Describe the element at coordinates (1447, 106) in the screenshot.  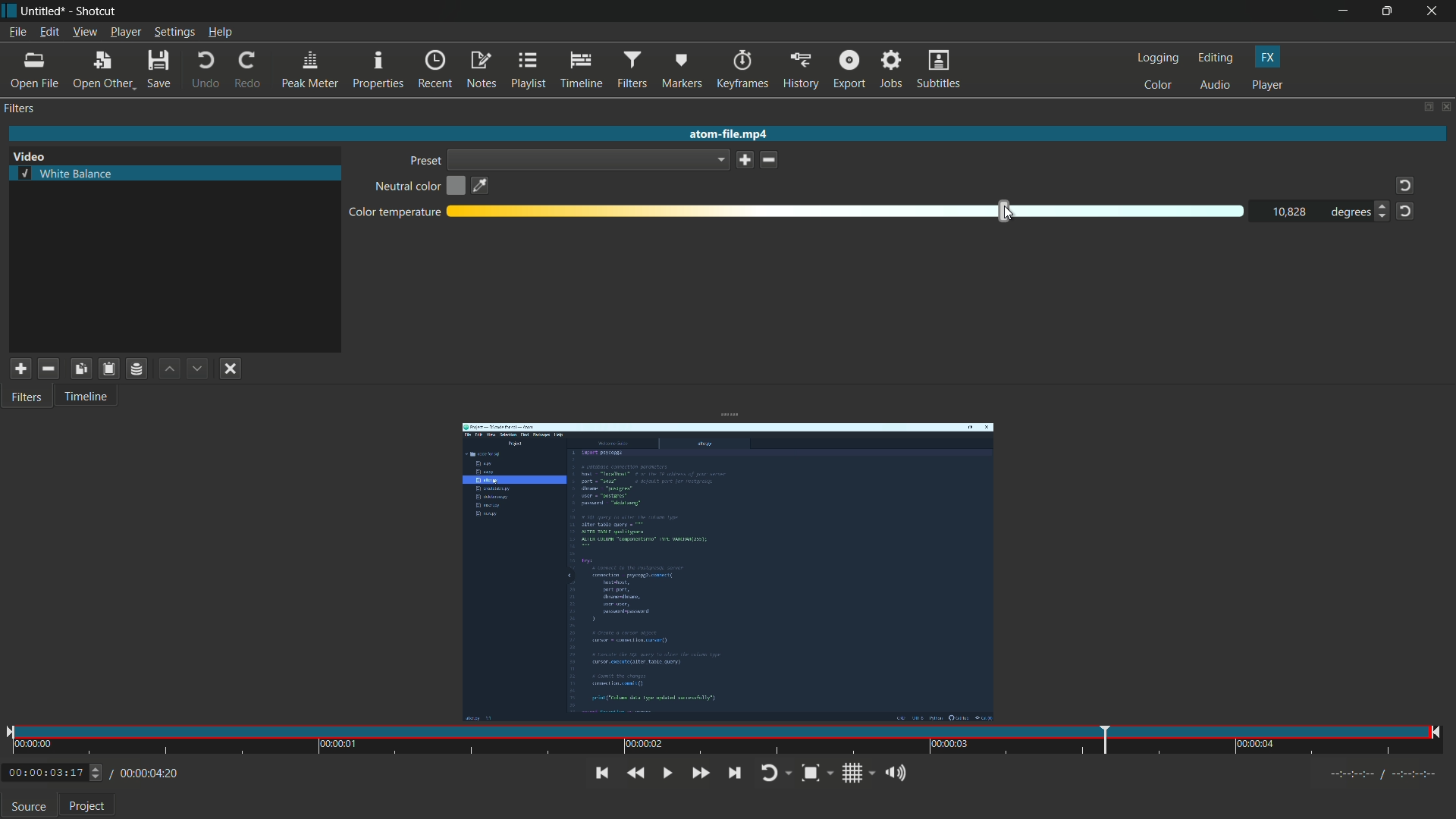
I see `close panel` at that location.